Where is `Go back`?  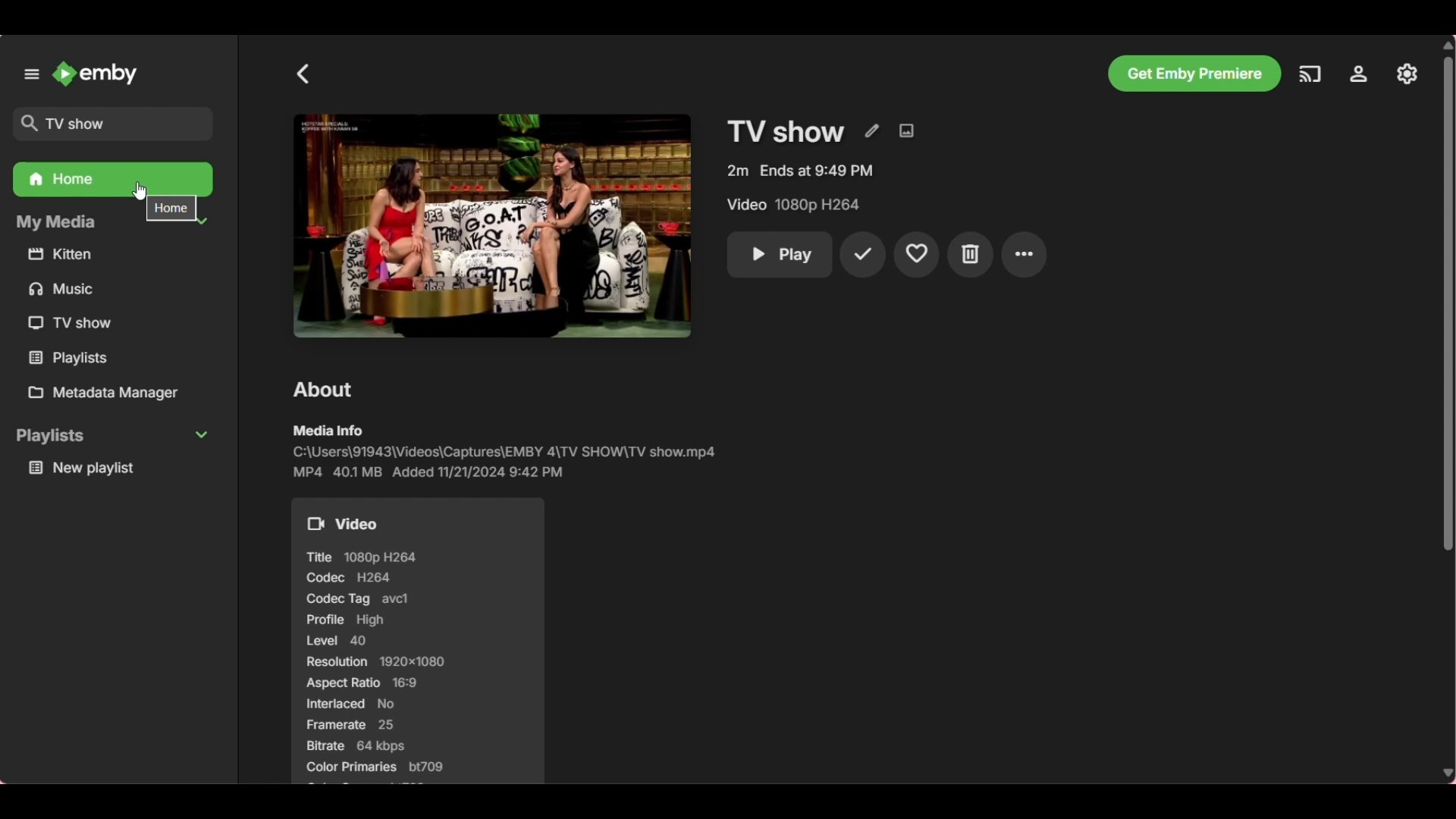
Go back is located at coordinates (303, 74).